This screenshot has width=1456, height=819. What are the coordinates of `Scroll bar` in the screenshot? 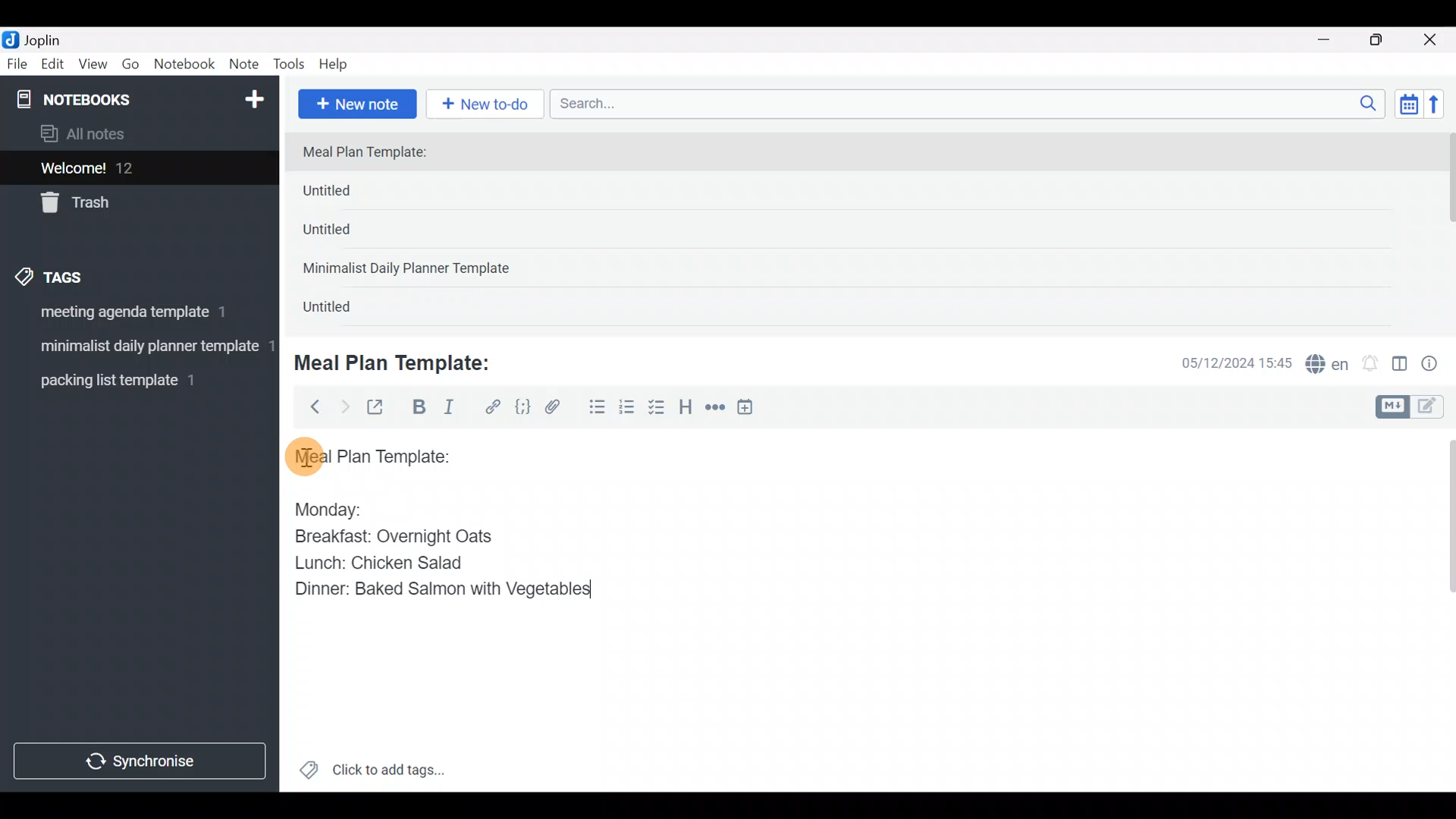 It's located at (1440, 610).